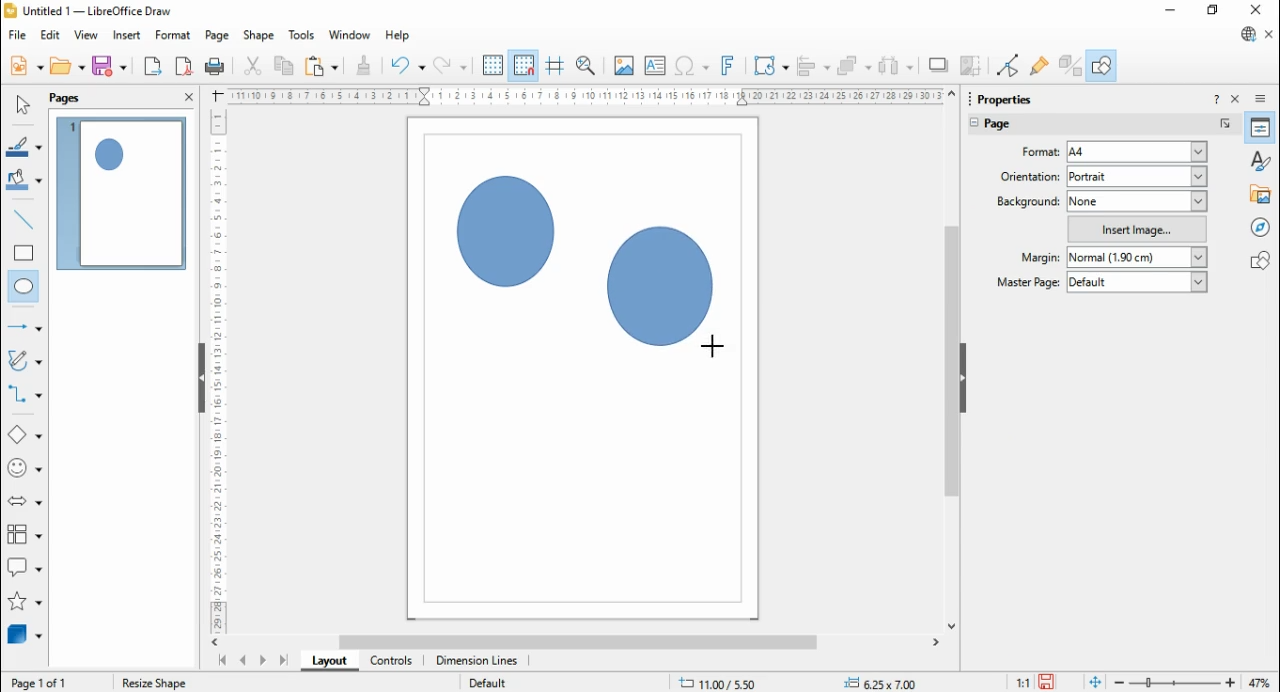  What do you see at coordinates (22, 104) in the screenshot?
I see `select` at bounding box center [22, 104].